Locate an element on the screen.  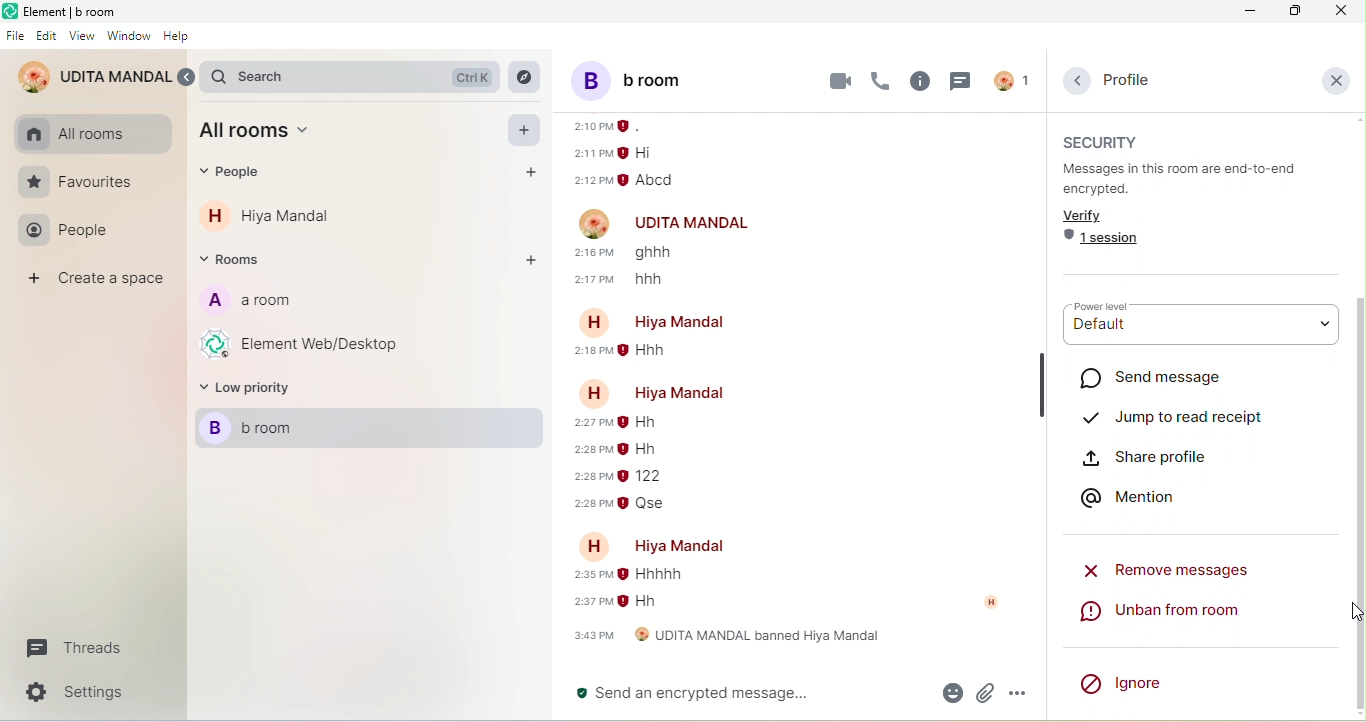
sending message time is located at coordinates (591, 576).